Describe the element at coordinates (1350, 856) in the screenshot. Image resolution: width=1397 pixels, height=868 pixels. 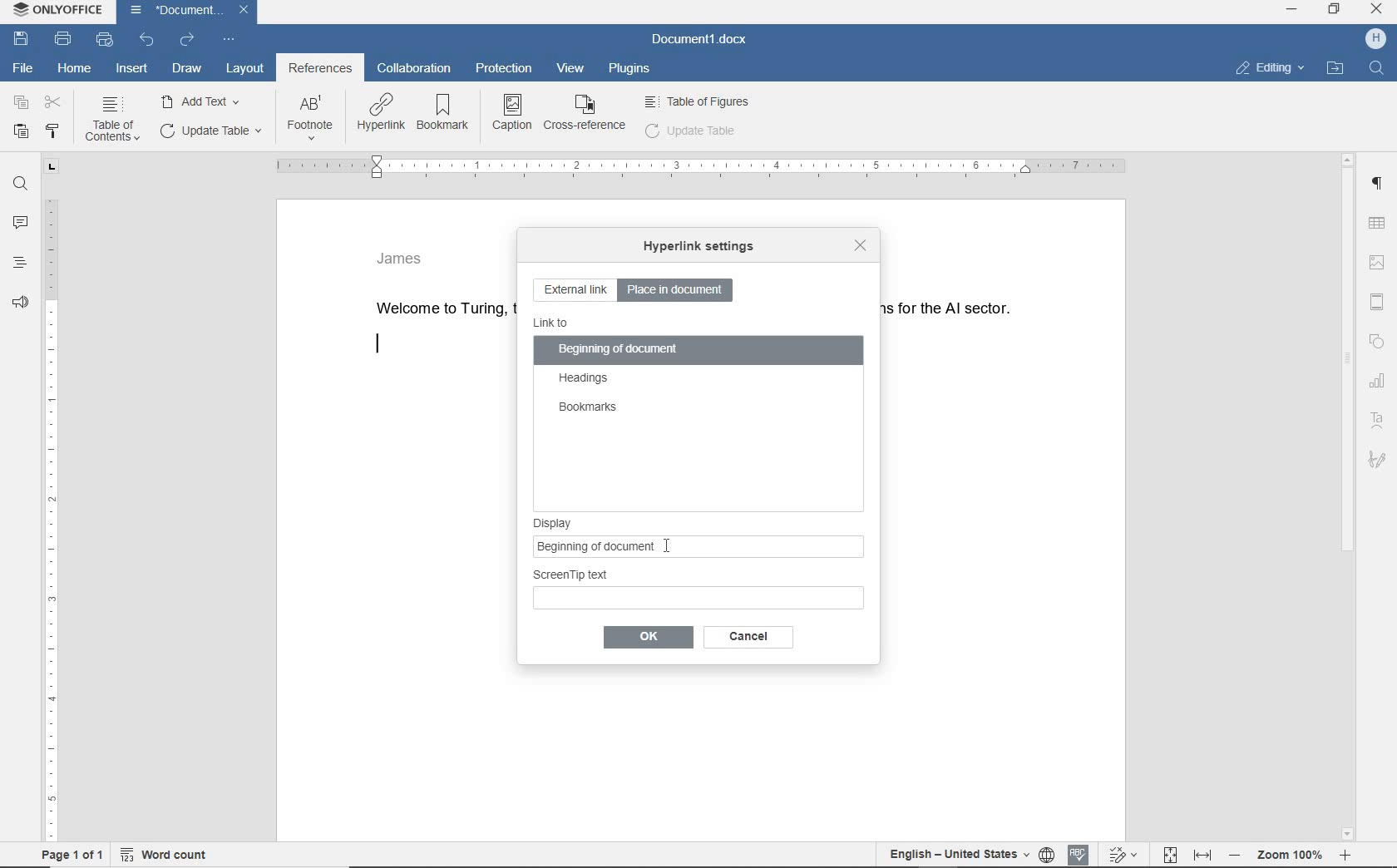
I see `zoom in` at that location.